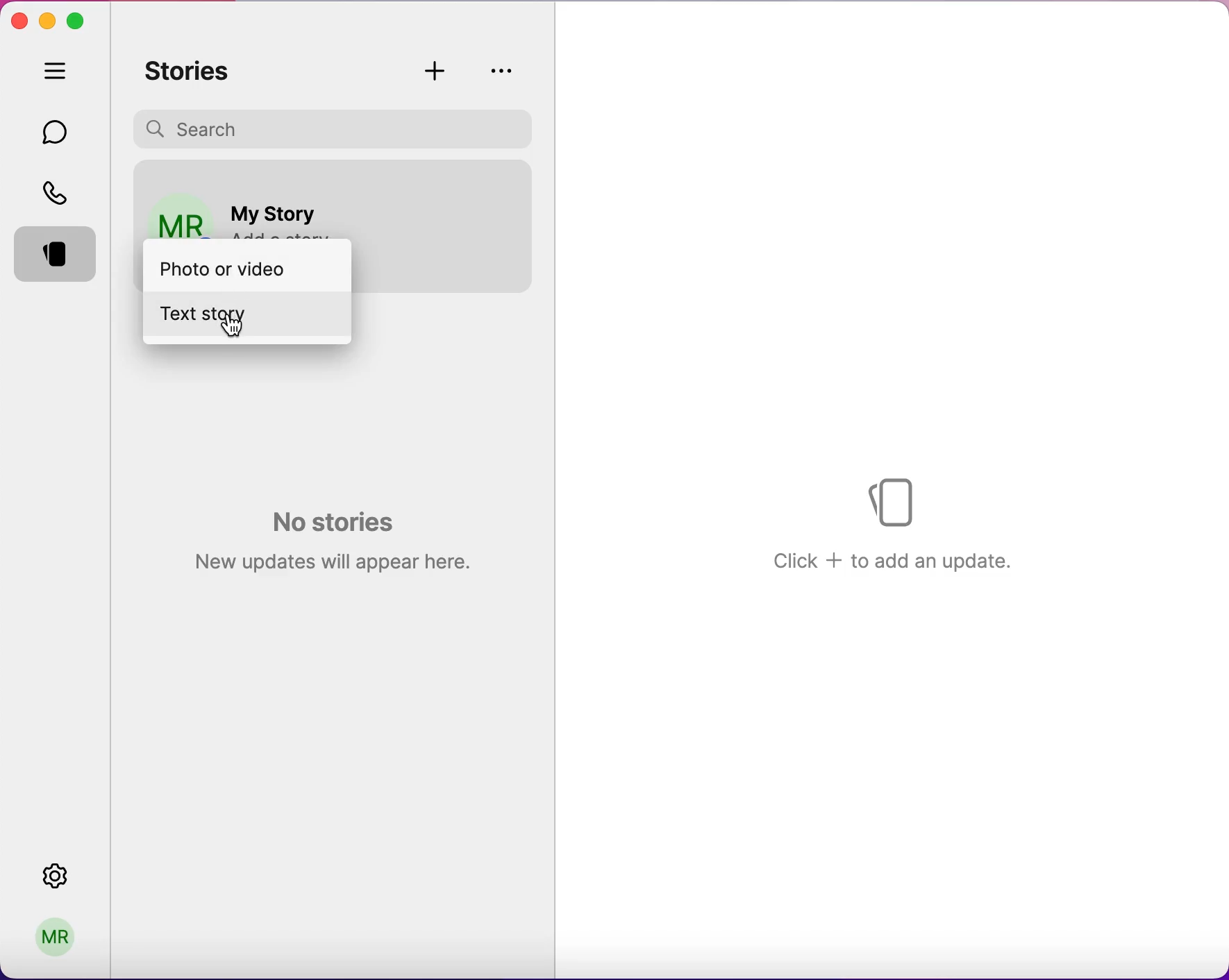 The height and width of the screenshot is (980, 1229). I want to click on stories selected, so click(58, 257).